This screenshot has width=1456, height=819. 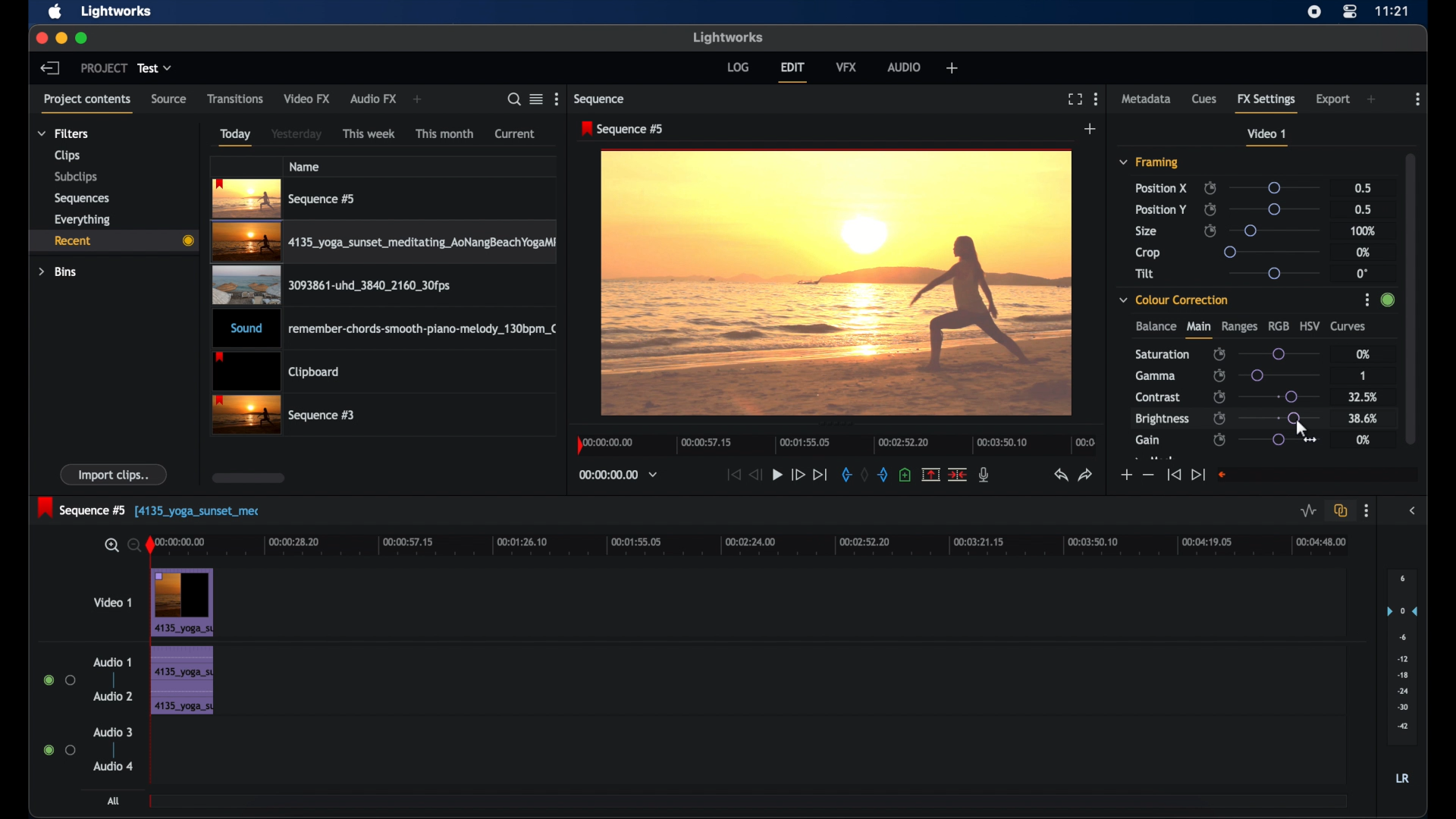 What do you see at coordinates (1210, 209) in the screenshot?
I see `enable/disable keyframes` at bounding box center [1210, 209].